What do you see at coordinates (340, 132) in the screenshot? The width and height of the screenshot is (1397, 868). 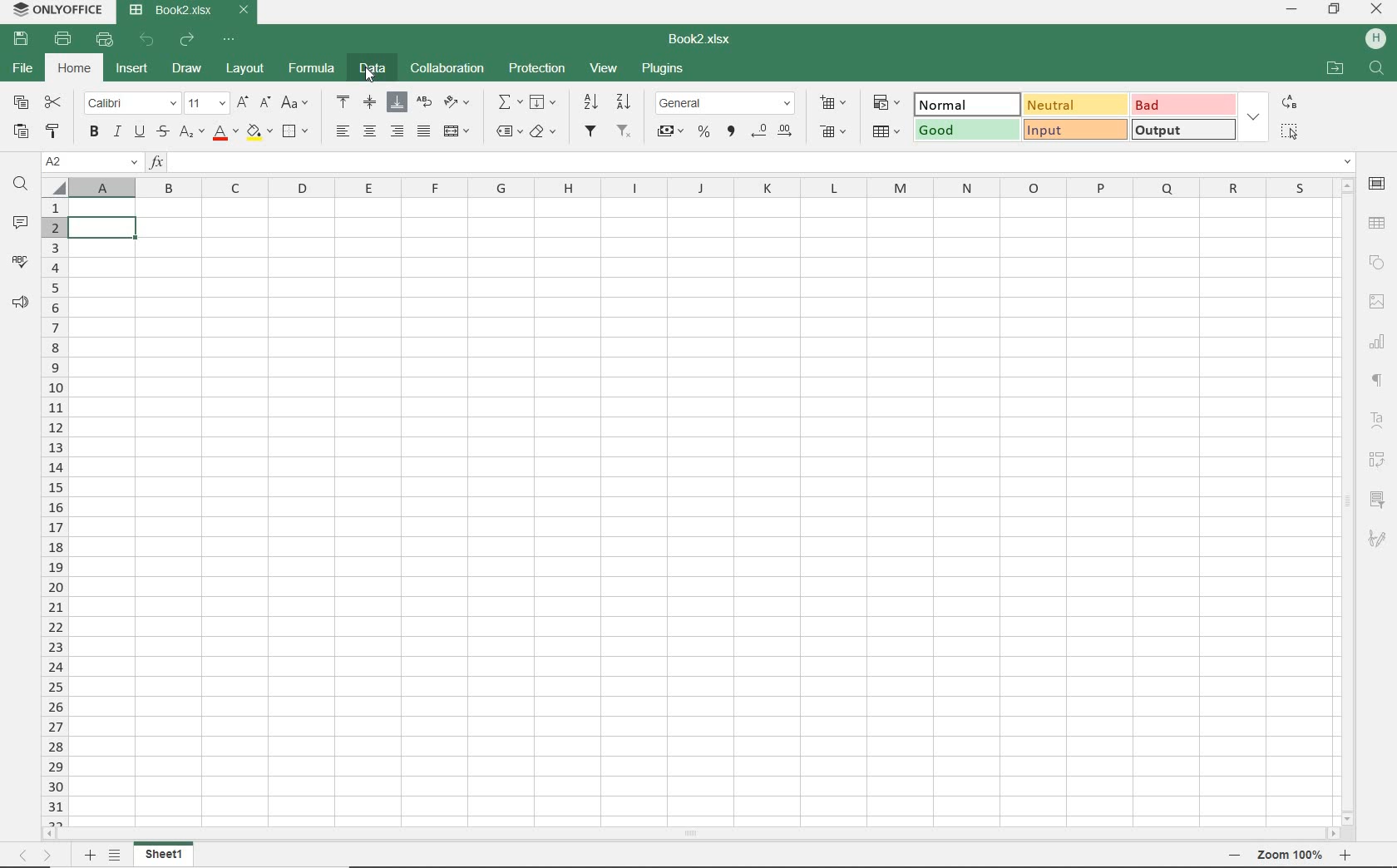 I see `ALIGN RIGHT` at bounding box center [340, 132].